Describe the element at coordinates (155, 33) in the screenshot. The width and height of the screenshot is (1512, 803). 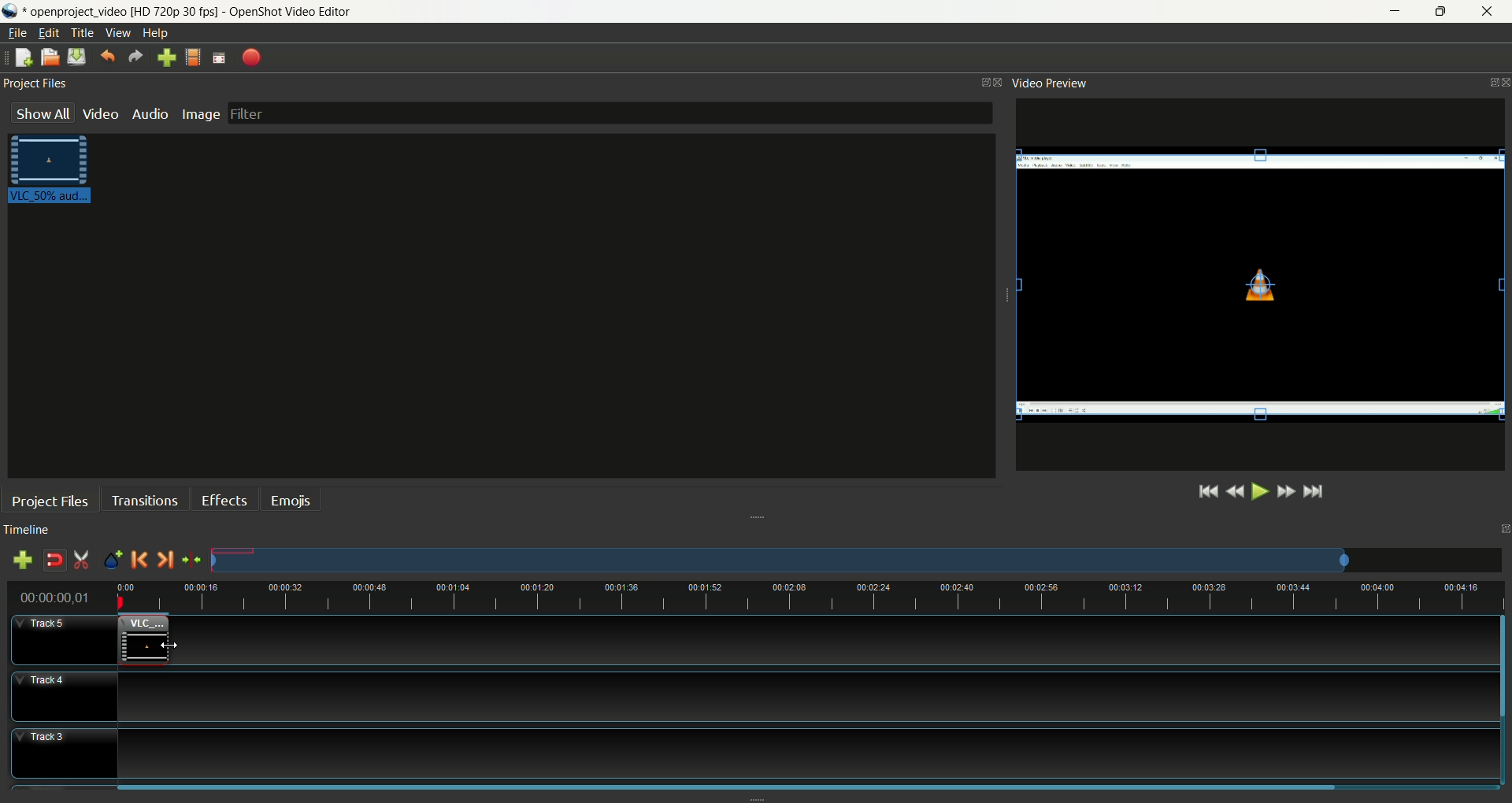
I see `help` at that location.